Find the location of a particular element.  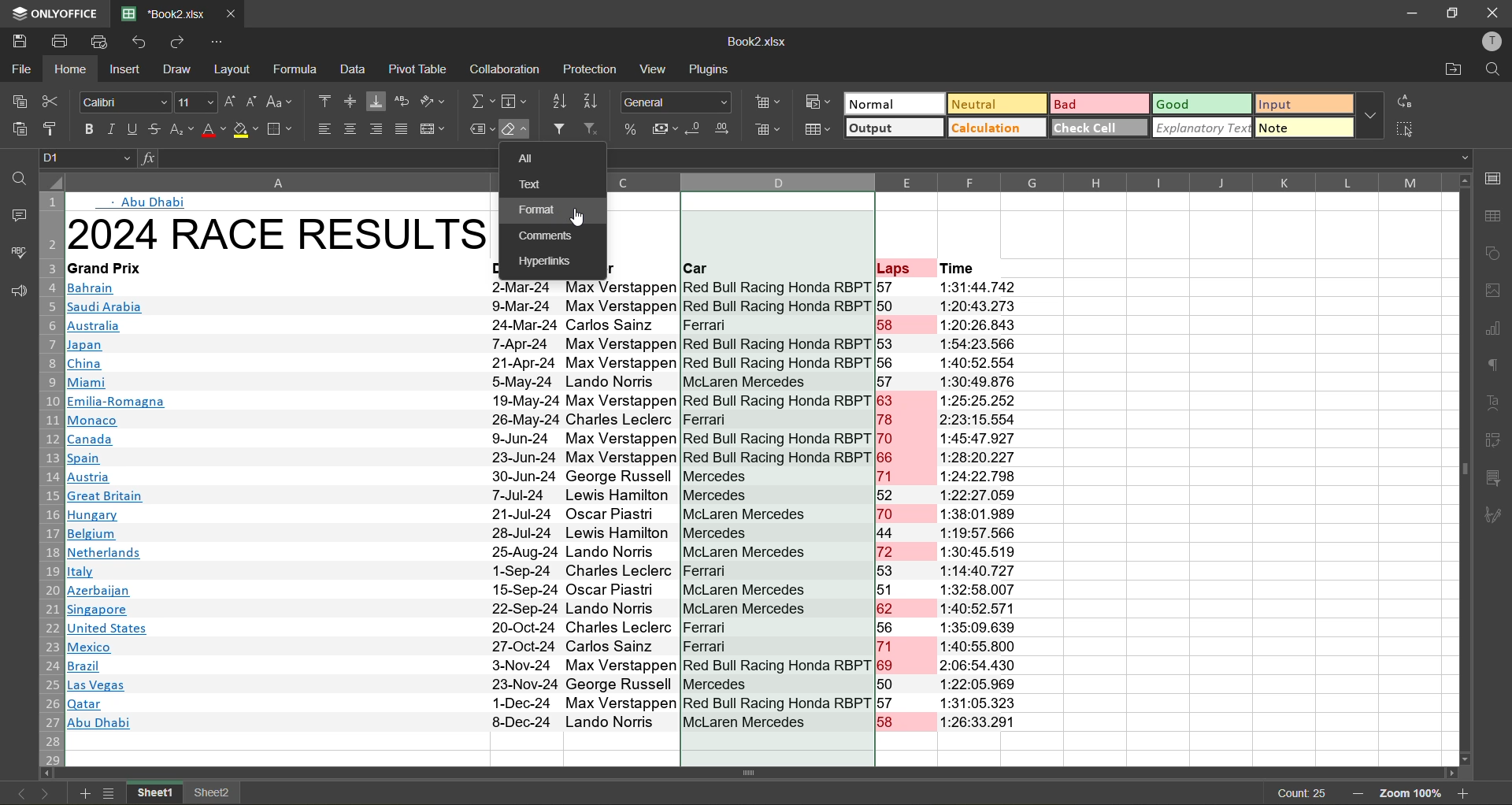

Bahrain 2-Mar-24 Max Verstappen Red Bull Racing Honda RBP 1 57 1:31:44.7/472 is located at coordinates (540, 288).